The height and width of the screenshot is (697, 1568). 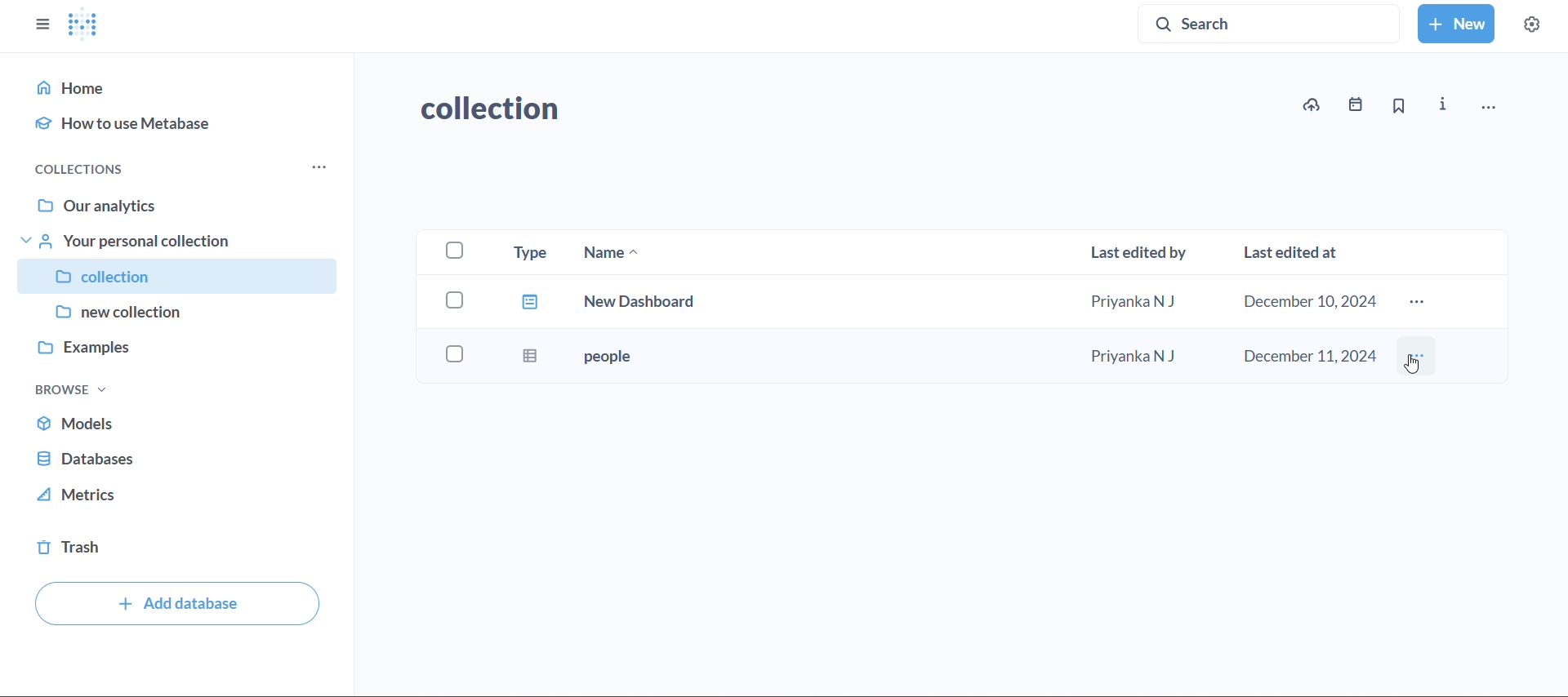 What do you see at coordinates (179, 87) in the screenshot?
I see `home` at bounding box center [179, 87].